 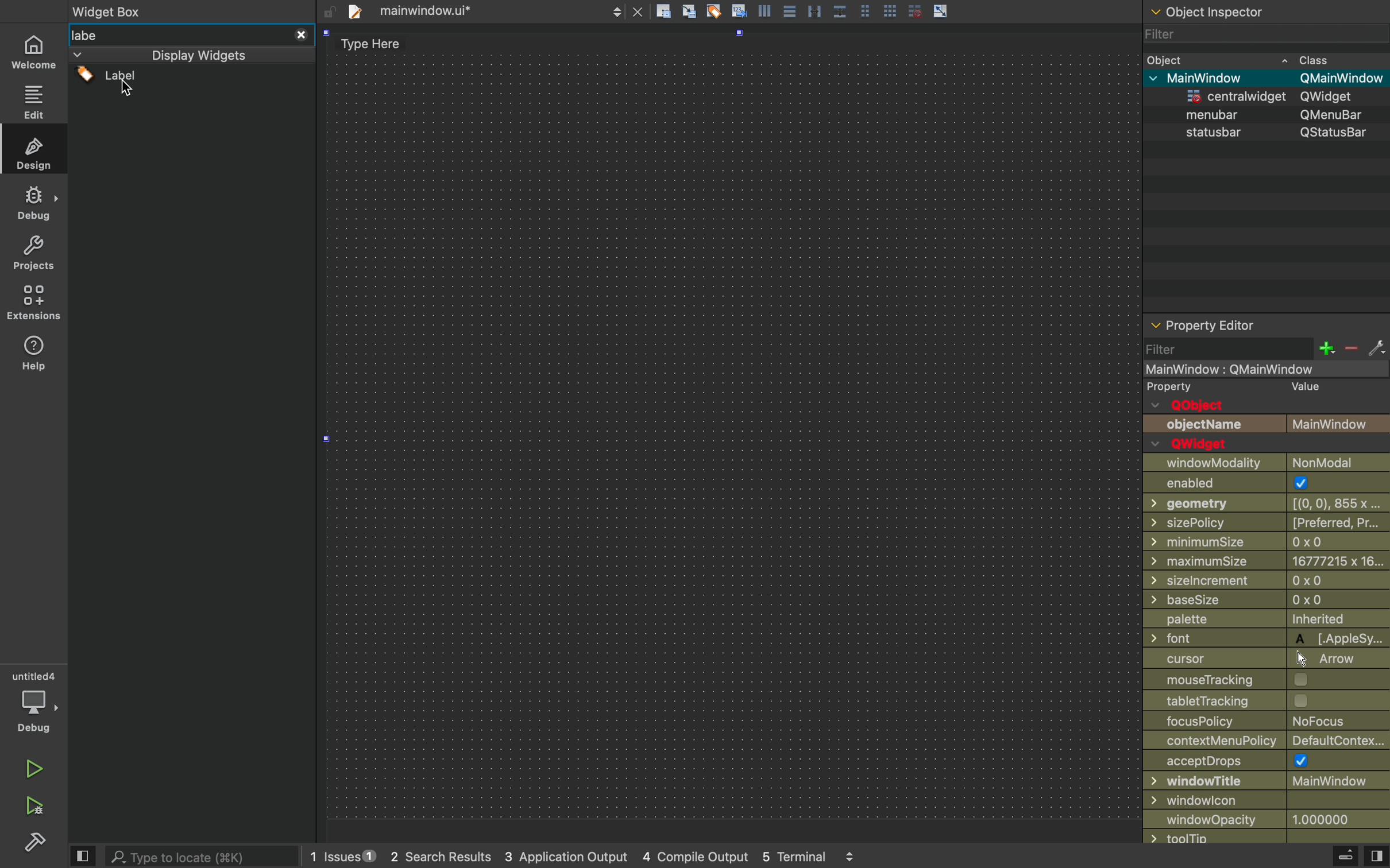 What do you see at coordinates (1265, 324) in the screenshot?
I see `properties of selected widget ` at bounding box center [1265, 324].